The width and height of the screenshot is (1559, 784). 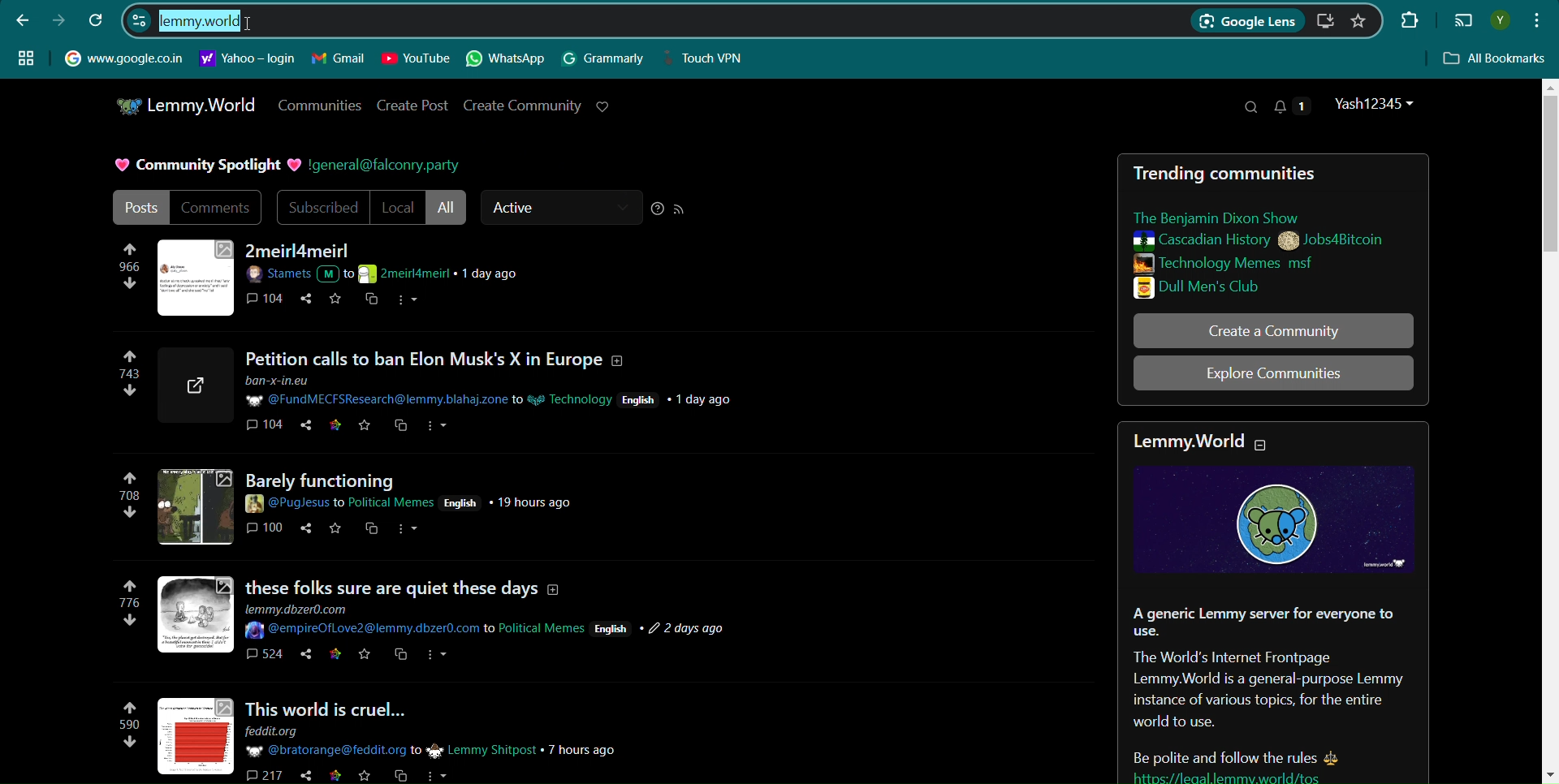 I want to click on more, so click(x=408, y=532).